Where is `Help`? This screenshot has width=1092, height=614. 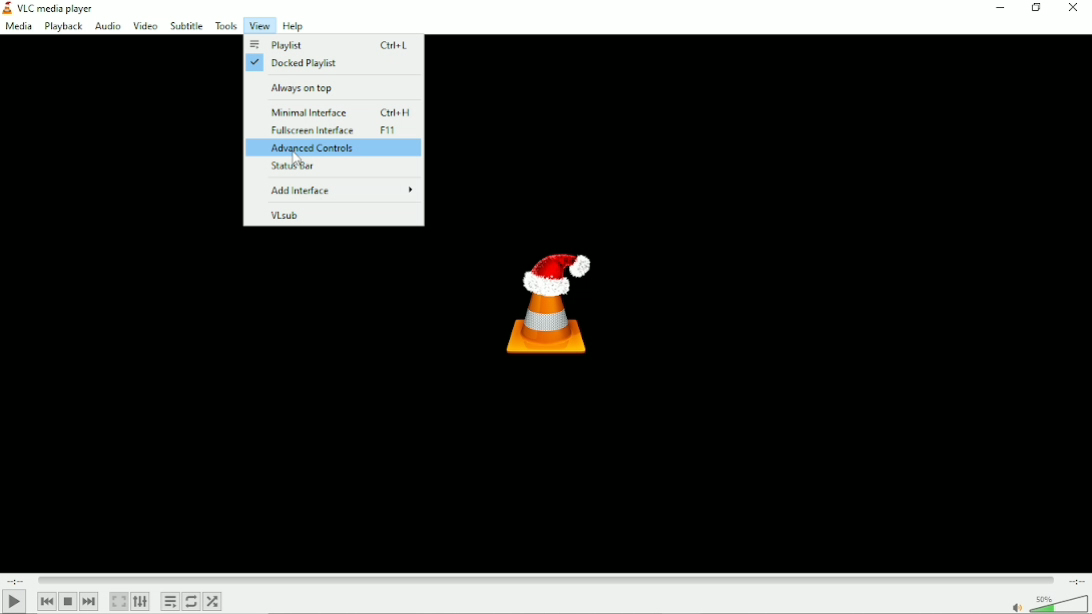
Help is located at coordinates (292, 27).